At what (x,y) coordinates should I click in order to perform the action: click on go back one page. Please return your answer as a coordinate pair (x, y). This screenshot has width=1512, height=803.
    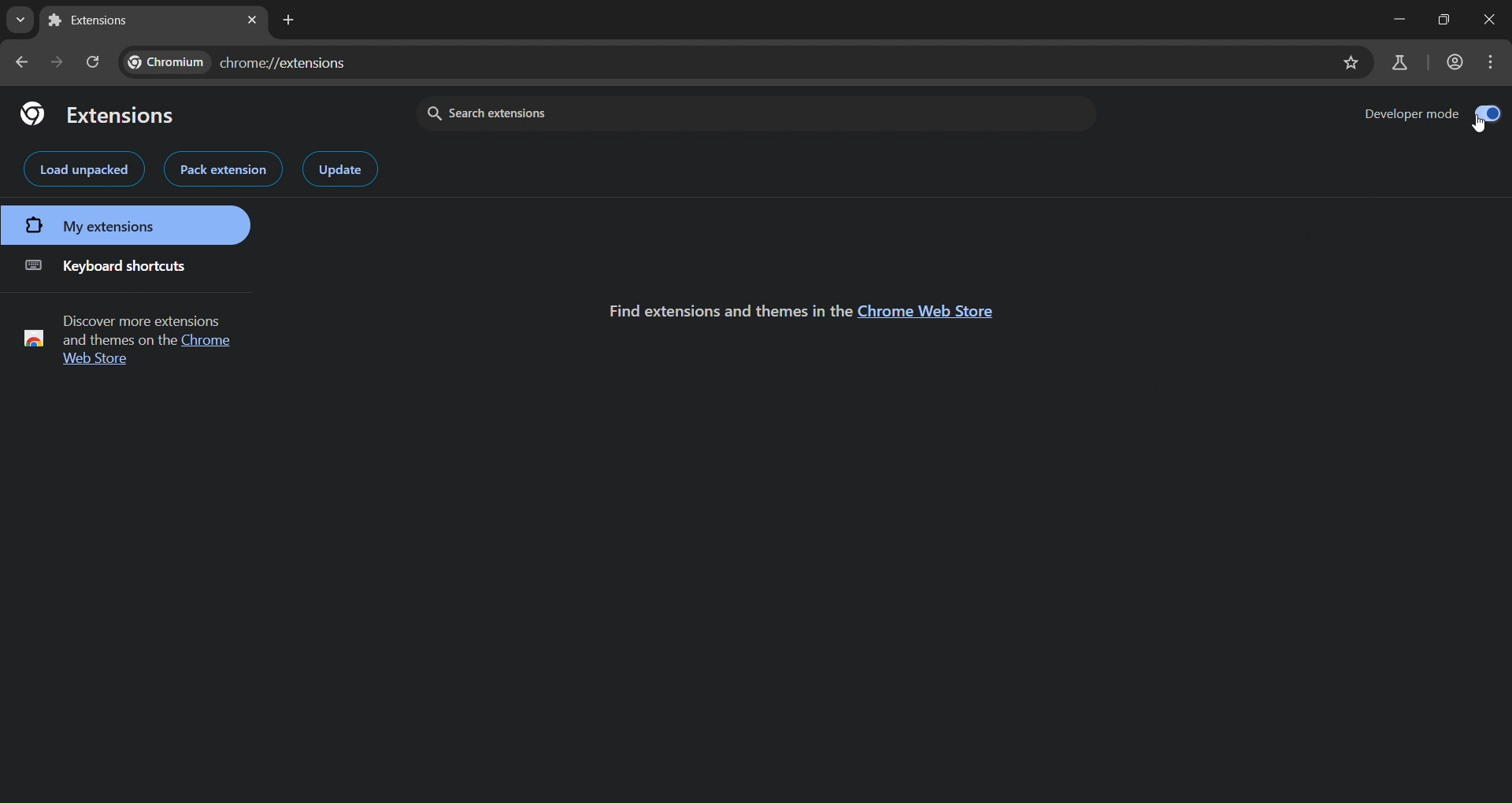
    Looking at the image, I should click on (24, 61).